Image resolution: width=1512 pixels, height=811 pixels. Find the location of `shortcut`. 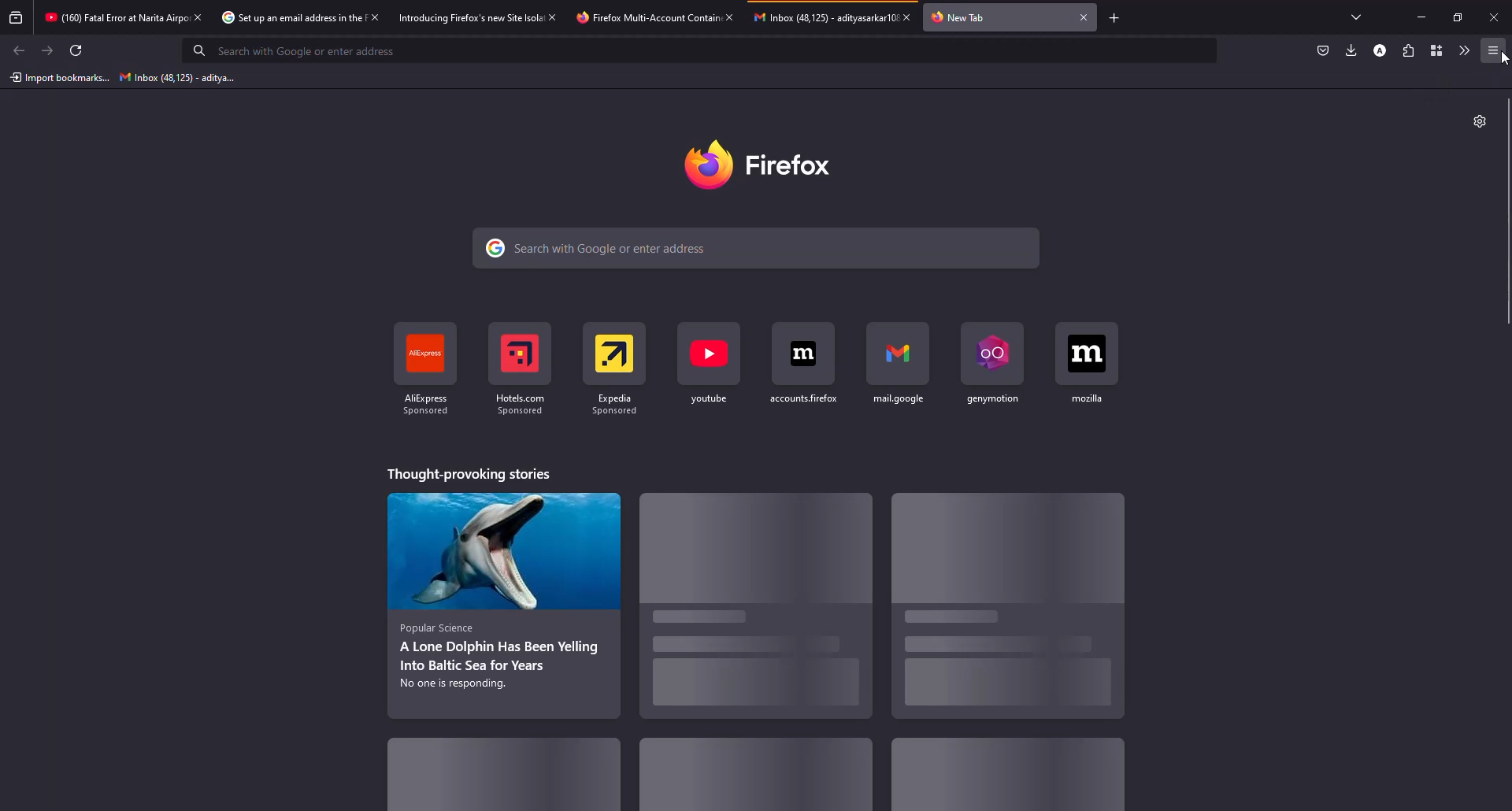

shortcut is located at coordinates (617, 365).